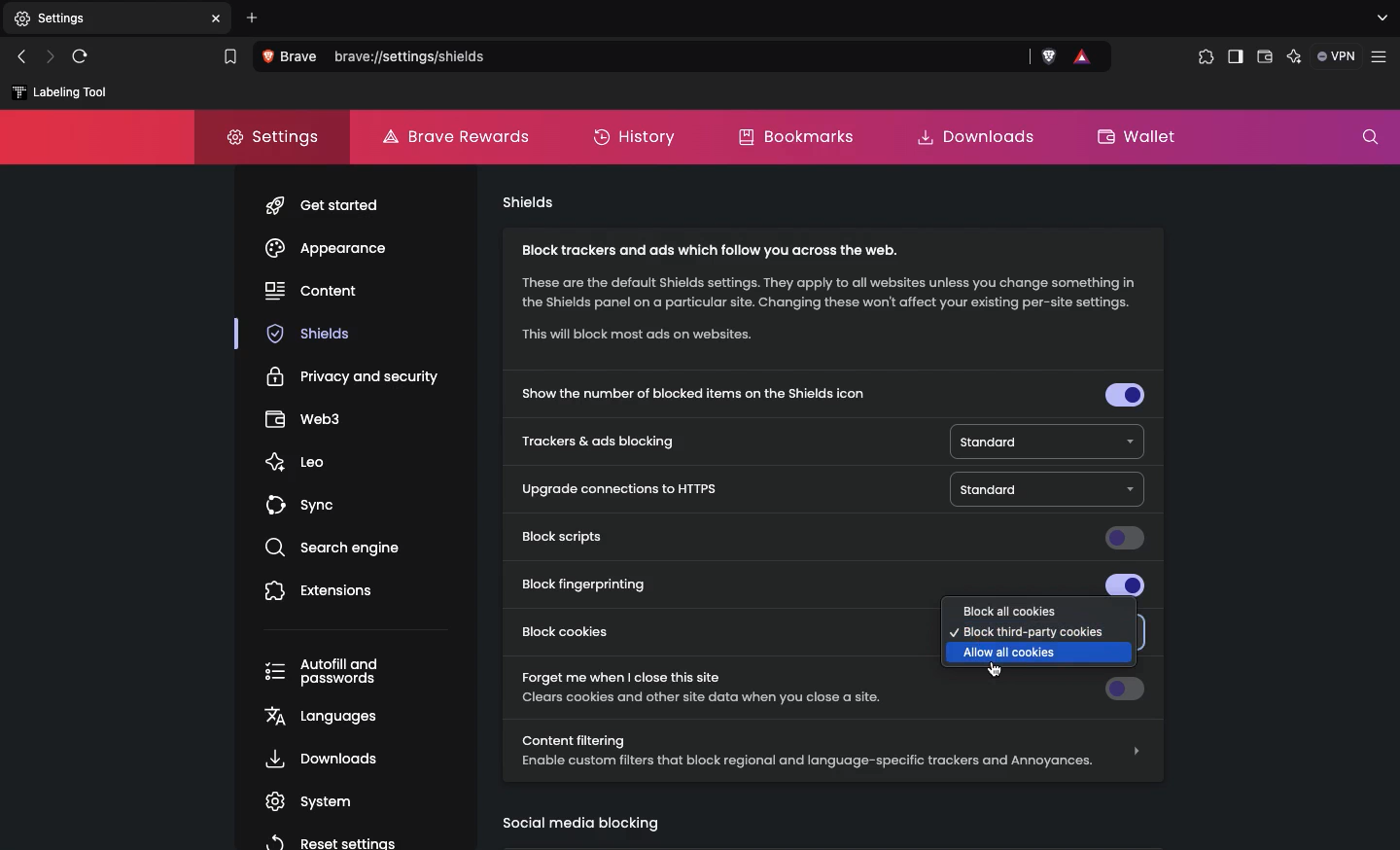 This screenshot has height=850, width=1400. What do you see at coordinates (1338, 57) in the screenshot?
I see `VPN` at bounding box center [1338, 57].